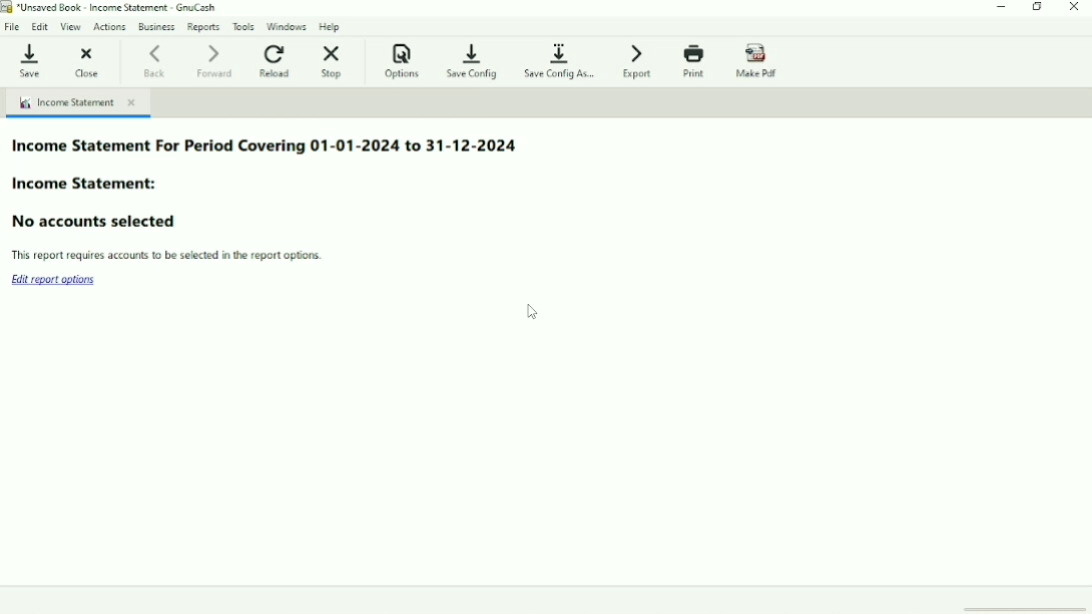 The image size is (1092, 614). Describe the element at coordinates (760, 61) in the screenshot. I see `Make Pdf` at that location.